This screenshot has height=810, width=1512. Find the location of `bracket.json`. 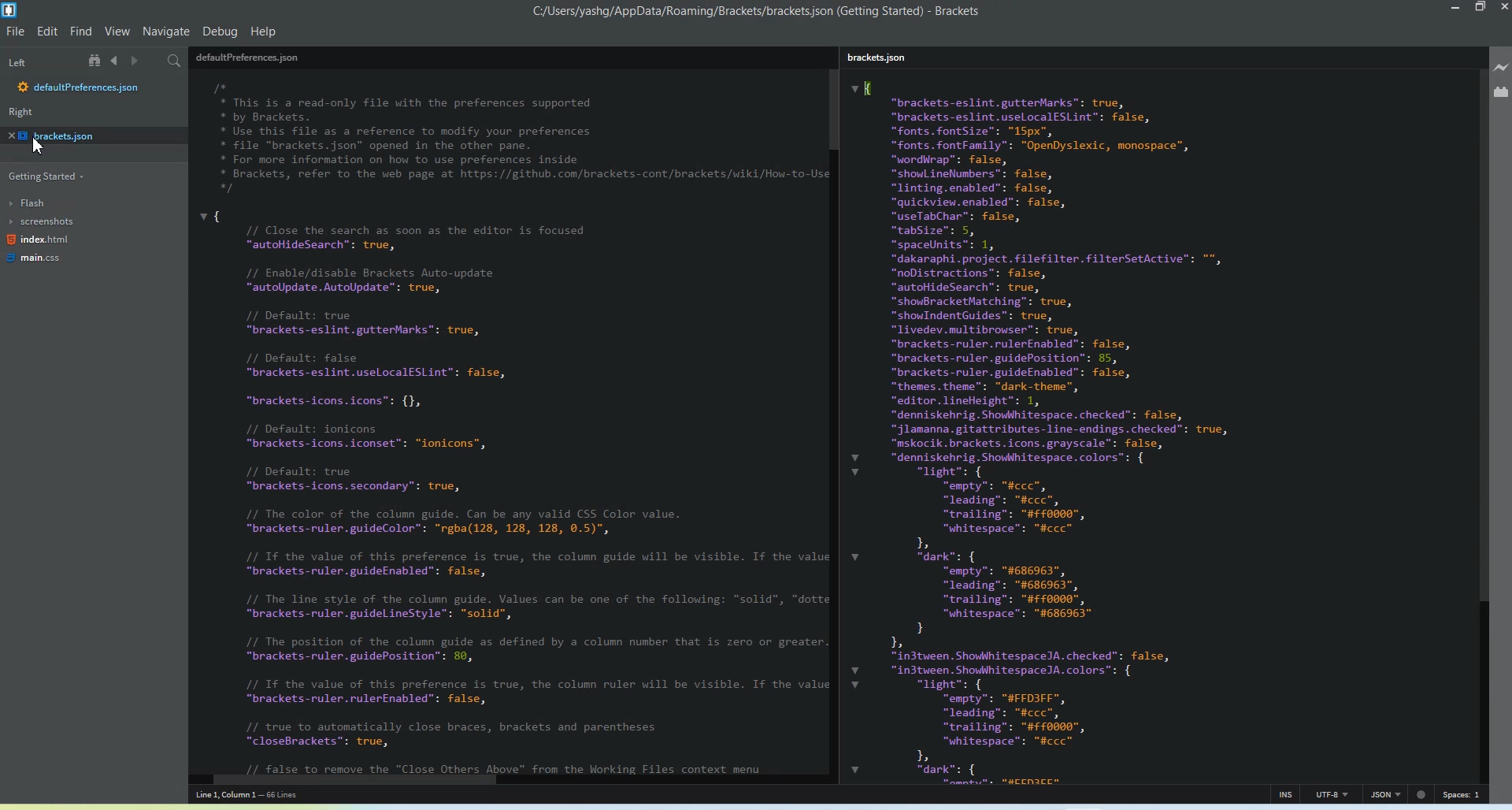

bracket.json is located at coordinates (88, 135).